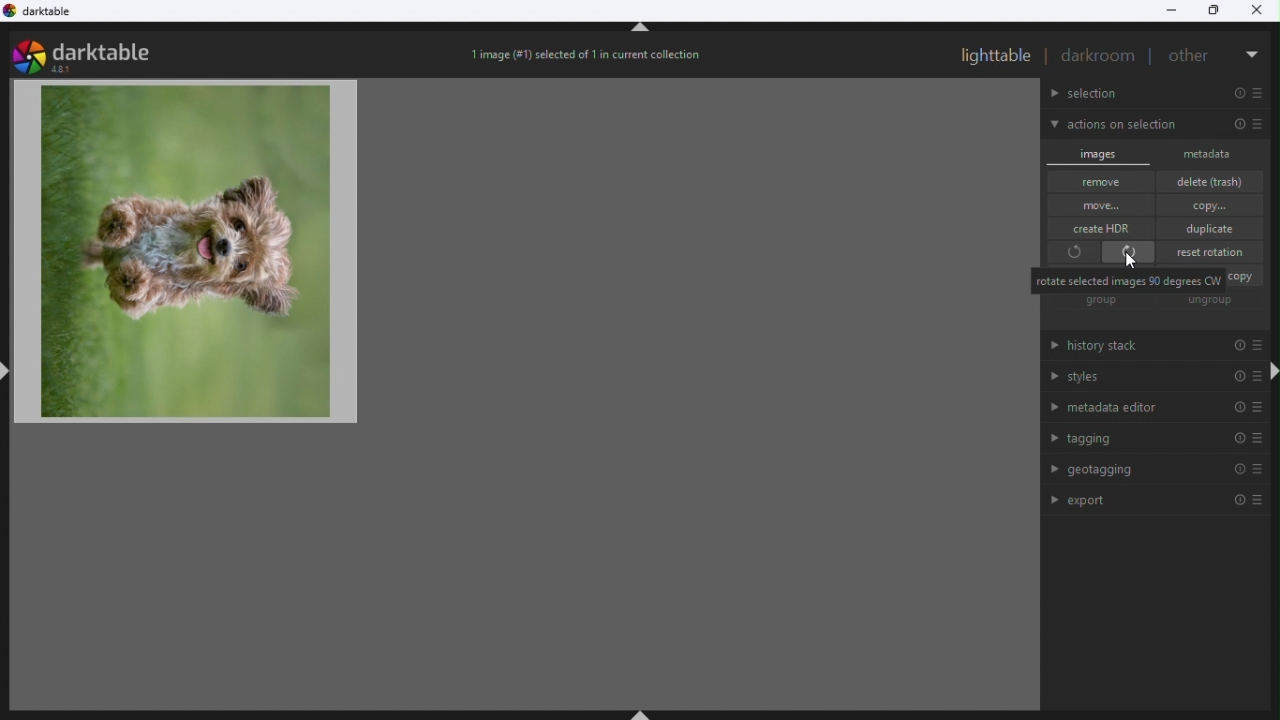 This screenshot has width=1280, height=720. Describe the element at coordinates (1216, 181) in the screenshot. I see `delete` at that location.